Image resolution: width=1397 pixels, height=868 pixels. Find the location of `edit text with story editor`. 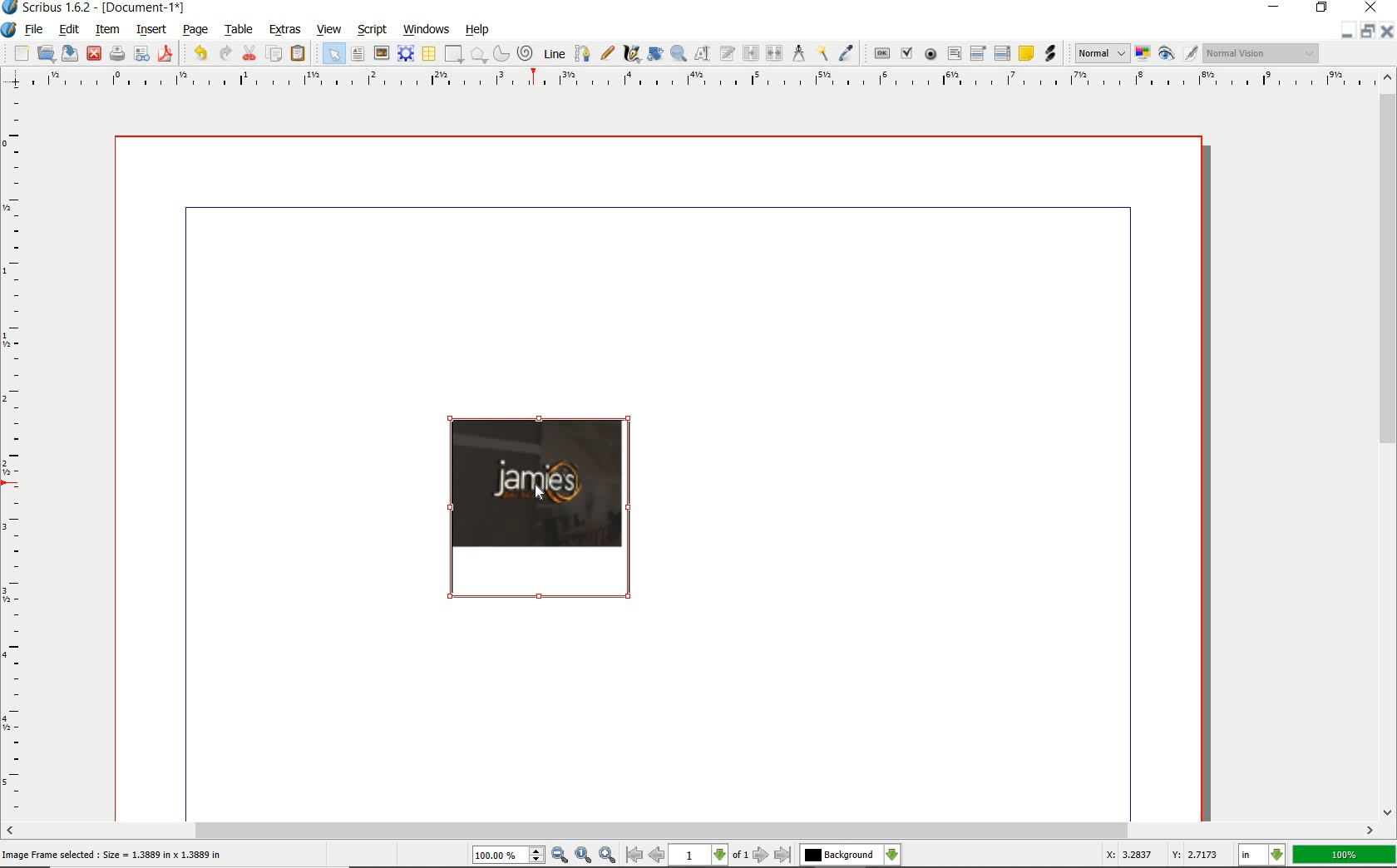

edit text with story editor is located at coordinates (727, 52).